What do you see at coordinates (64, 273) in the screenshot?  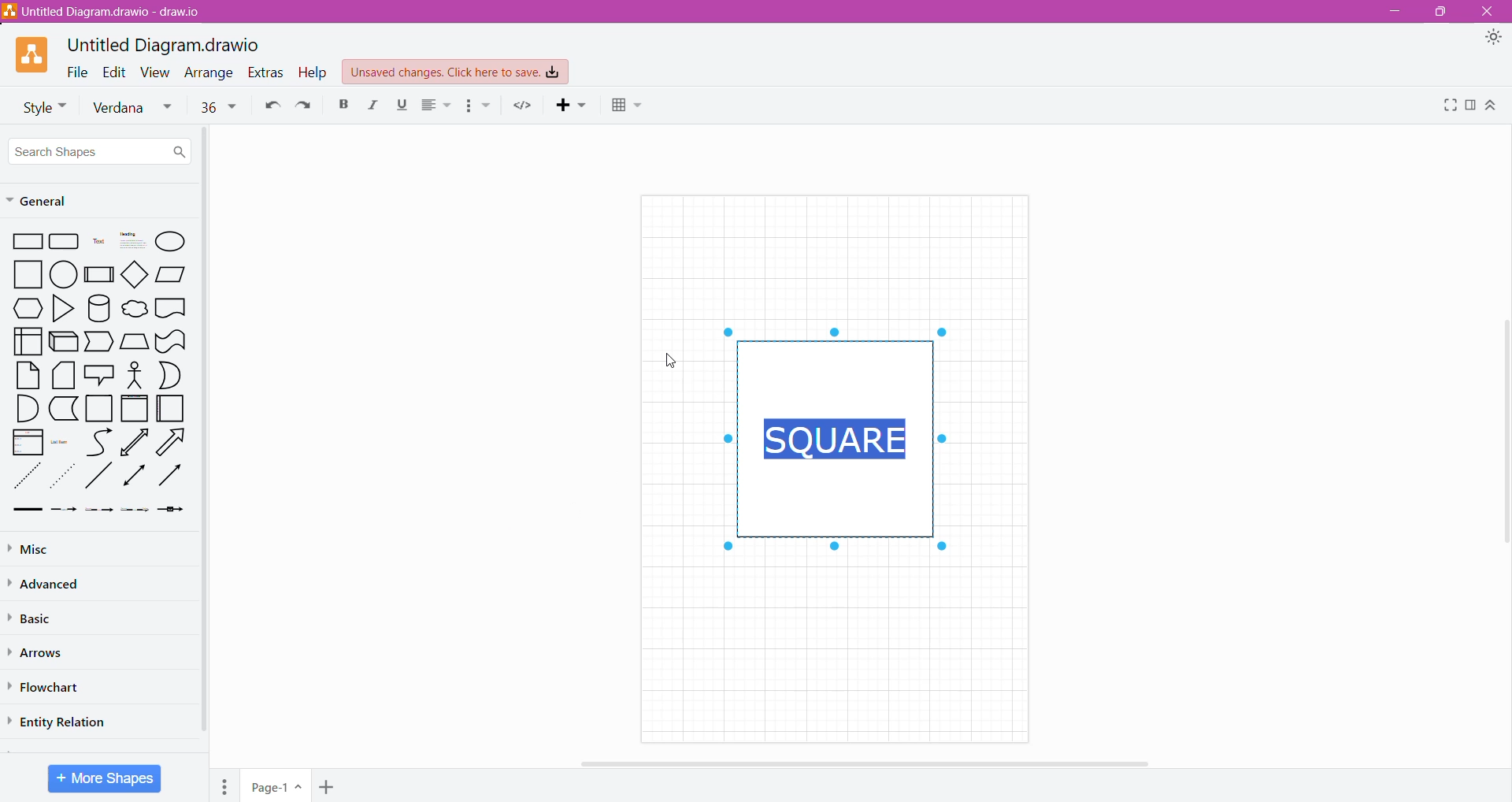 I see `circle` at bounding box center [64, 273].